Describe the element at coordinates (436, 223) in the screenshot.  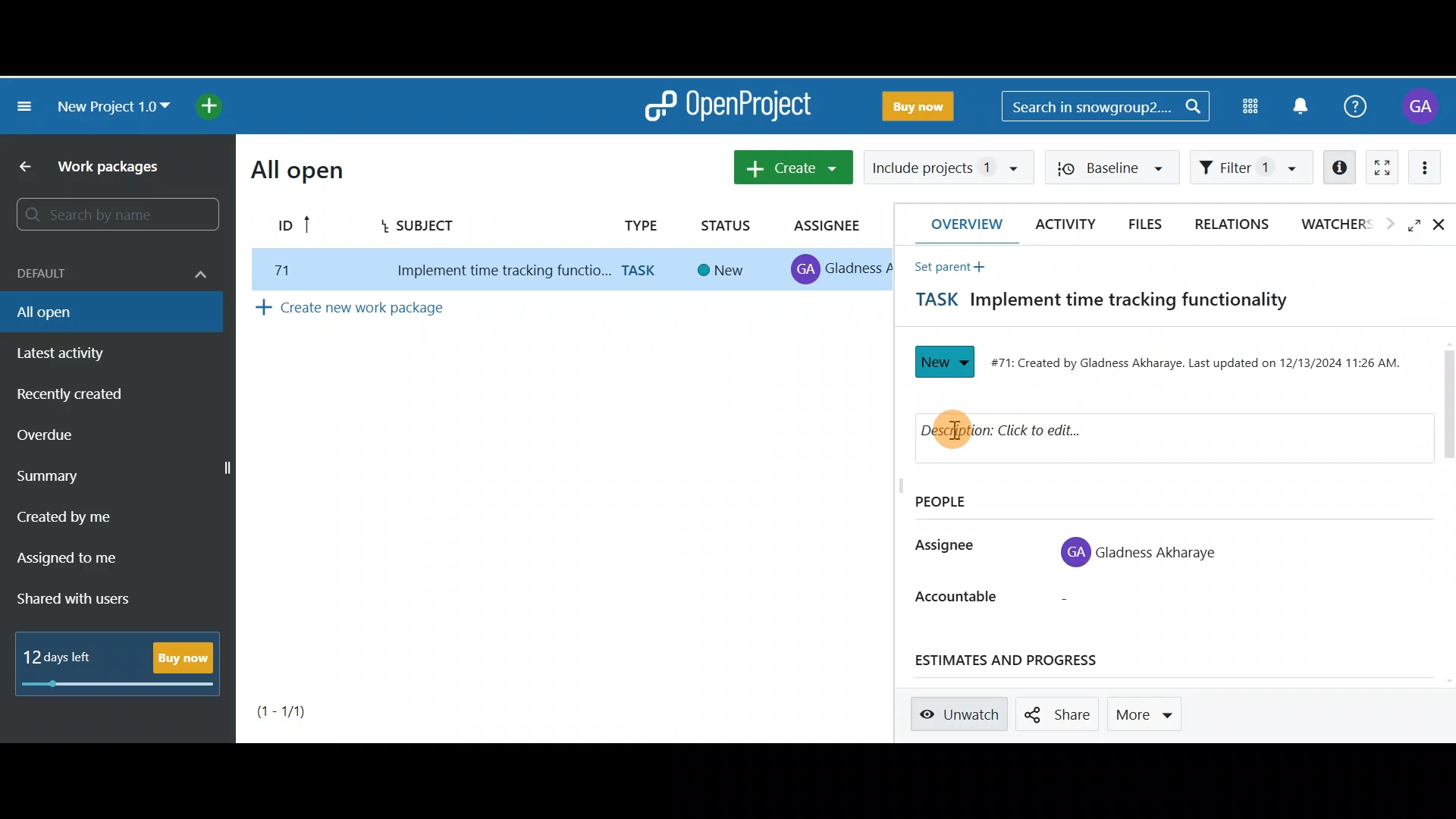
I see `Subject` at that location.